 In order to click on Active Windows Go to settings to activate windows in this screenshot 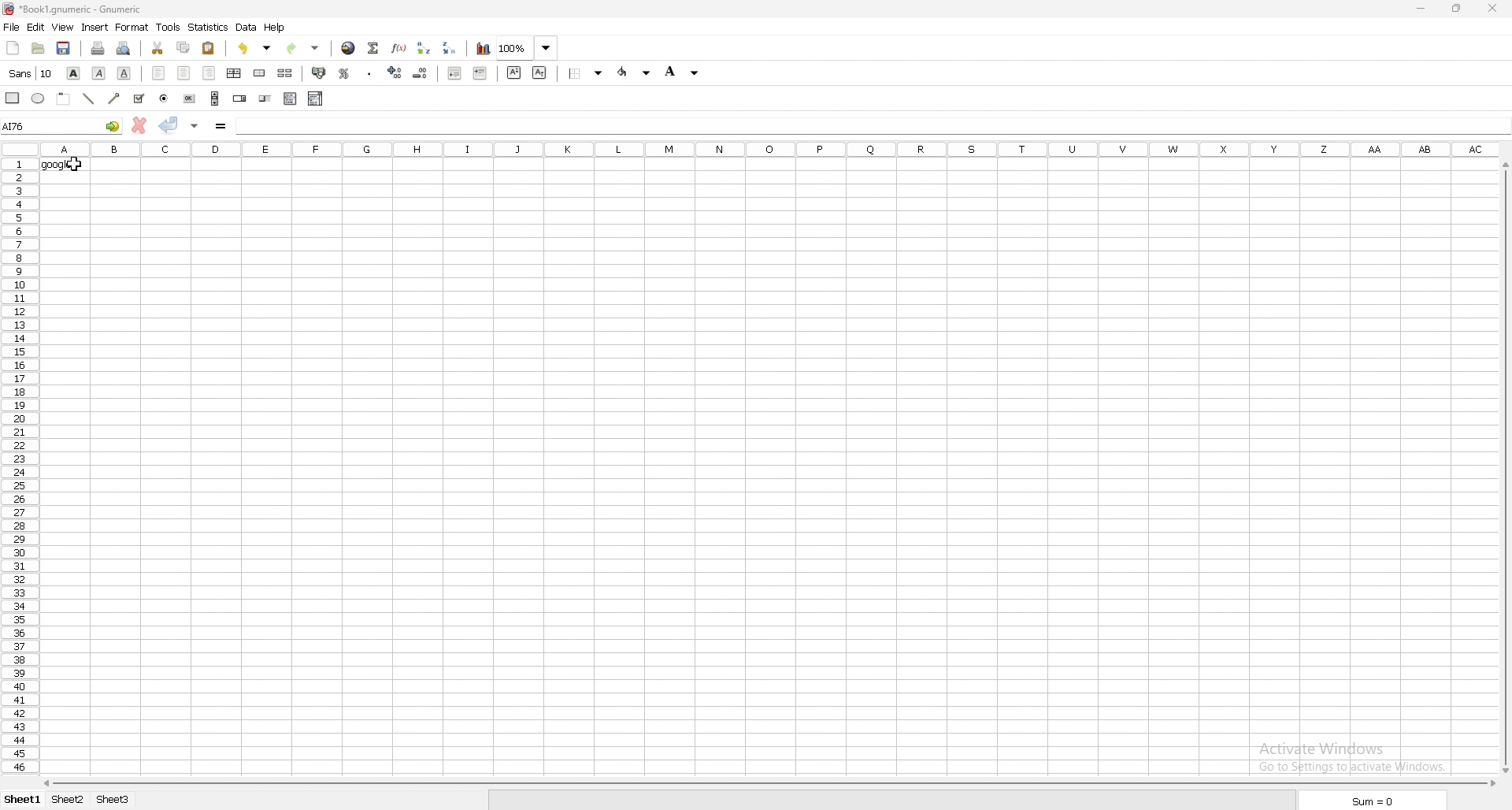, I will do `click(1351, 752)`.